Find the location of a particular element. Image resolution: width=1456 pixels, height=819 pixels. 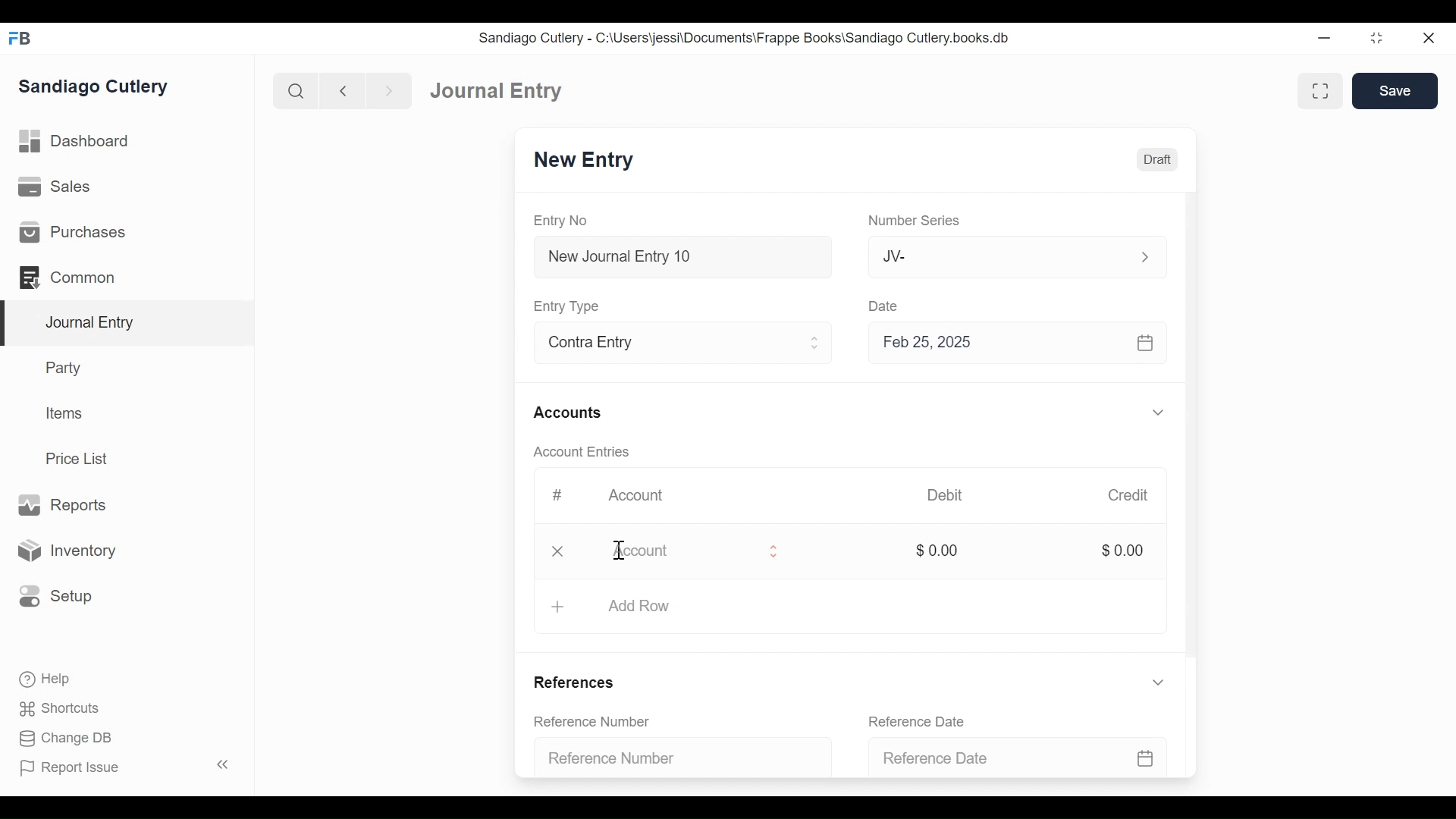

Entry Type is located at coordinates (571, 306).